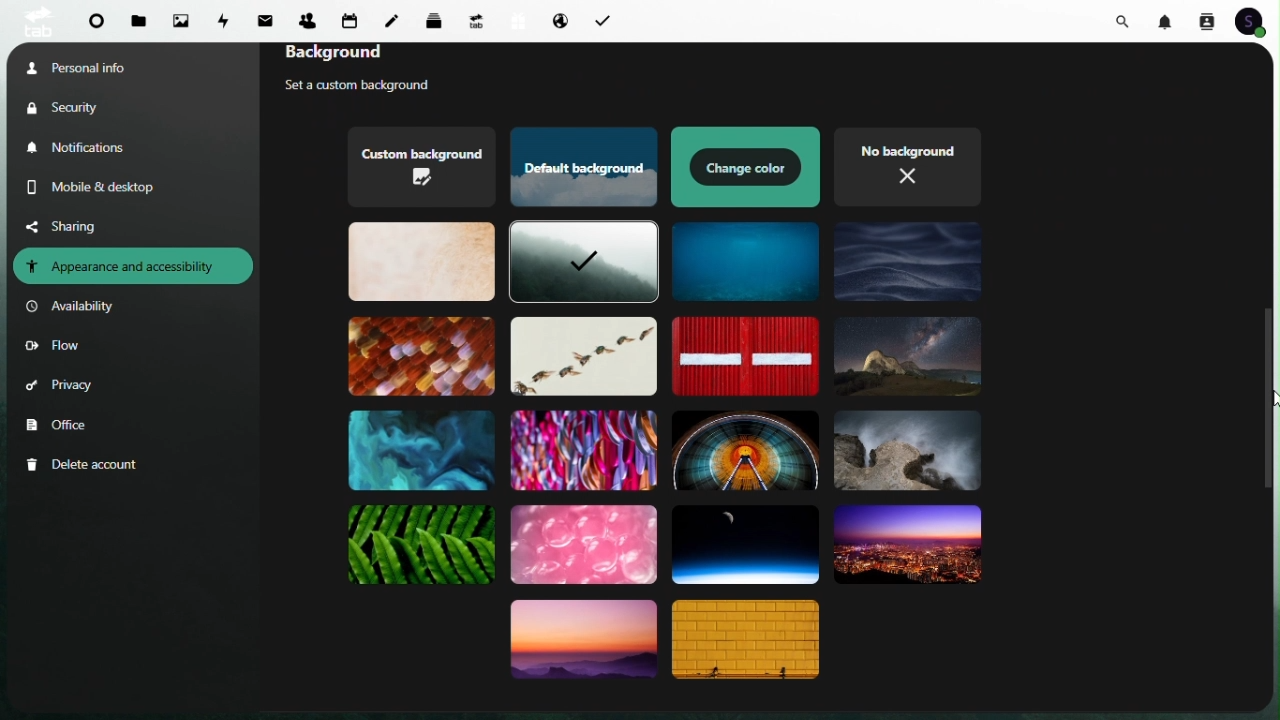  Describe the element at coordinates (75, 307) in the screenshot. I see `availability` at that location.